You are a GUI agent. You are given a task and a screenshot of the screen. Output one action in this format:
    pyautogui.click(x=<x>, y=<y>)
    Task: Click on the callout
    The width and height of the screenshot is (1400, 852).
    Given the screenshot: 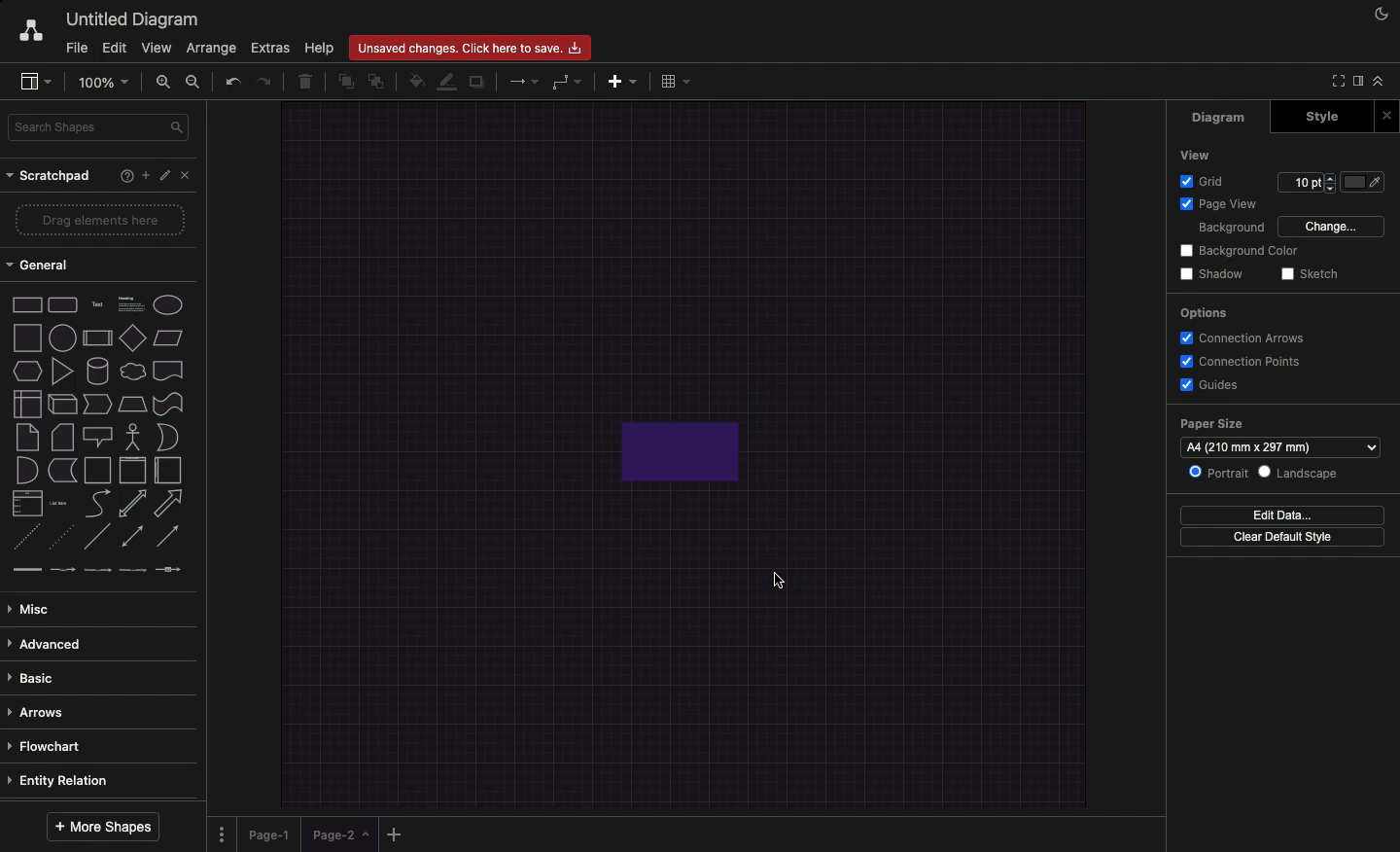 What is the action you would take?
    pyautogui.click(x=96, y=437)
    